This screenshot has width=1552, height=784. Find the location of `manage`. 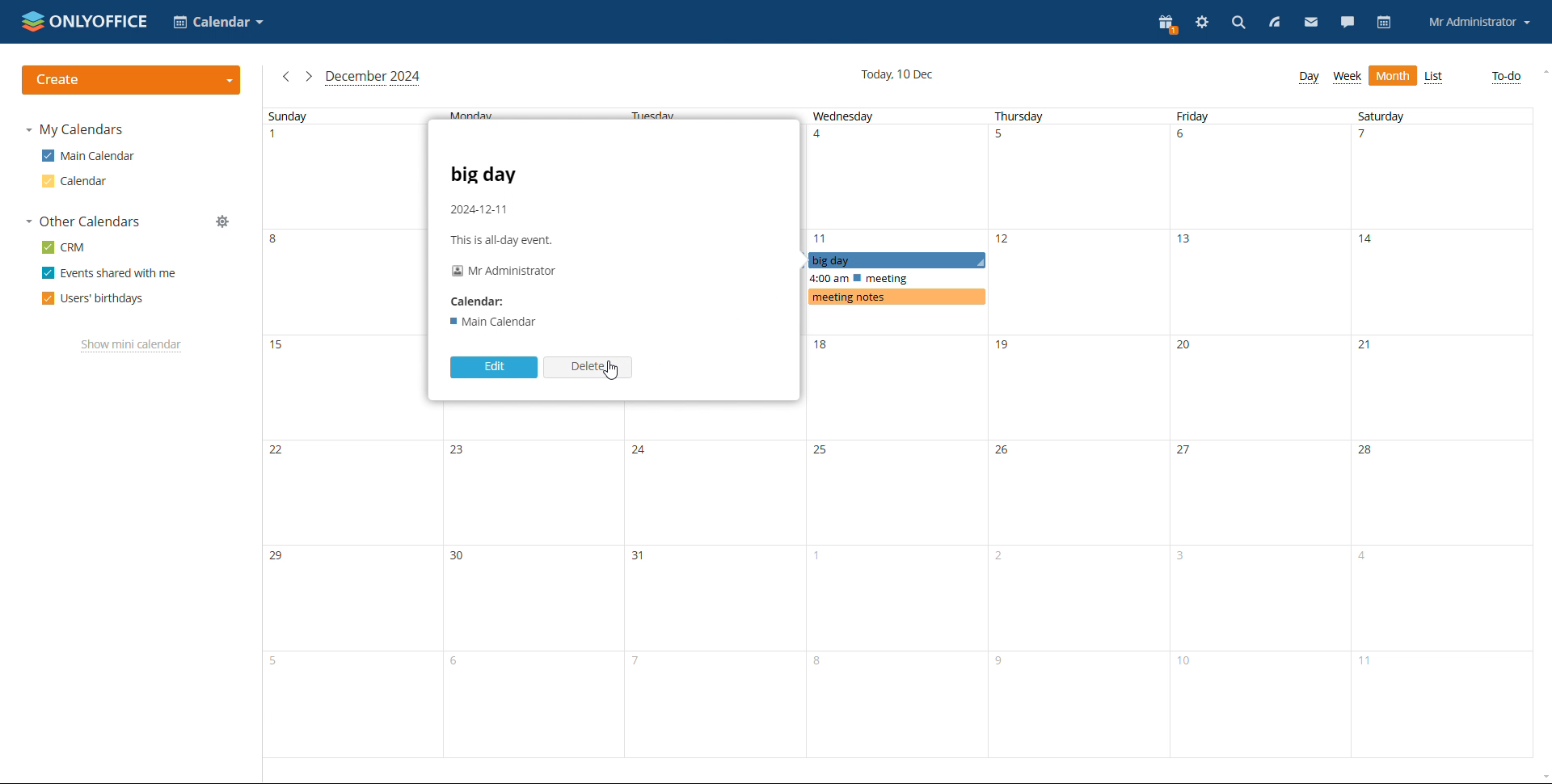

manage is located at coordinates (224, 221).